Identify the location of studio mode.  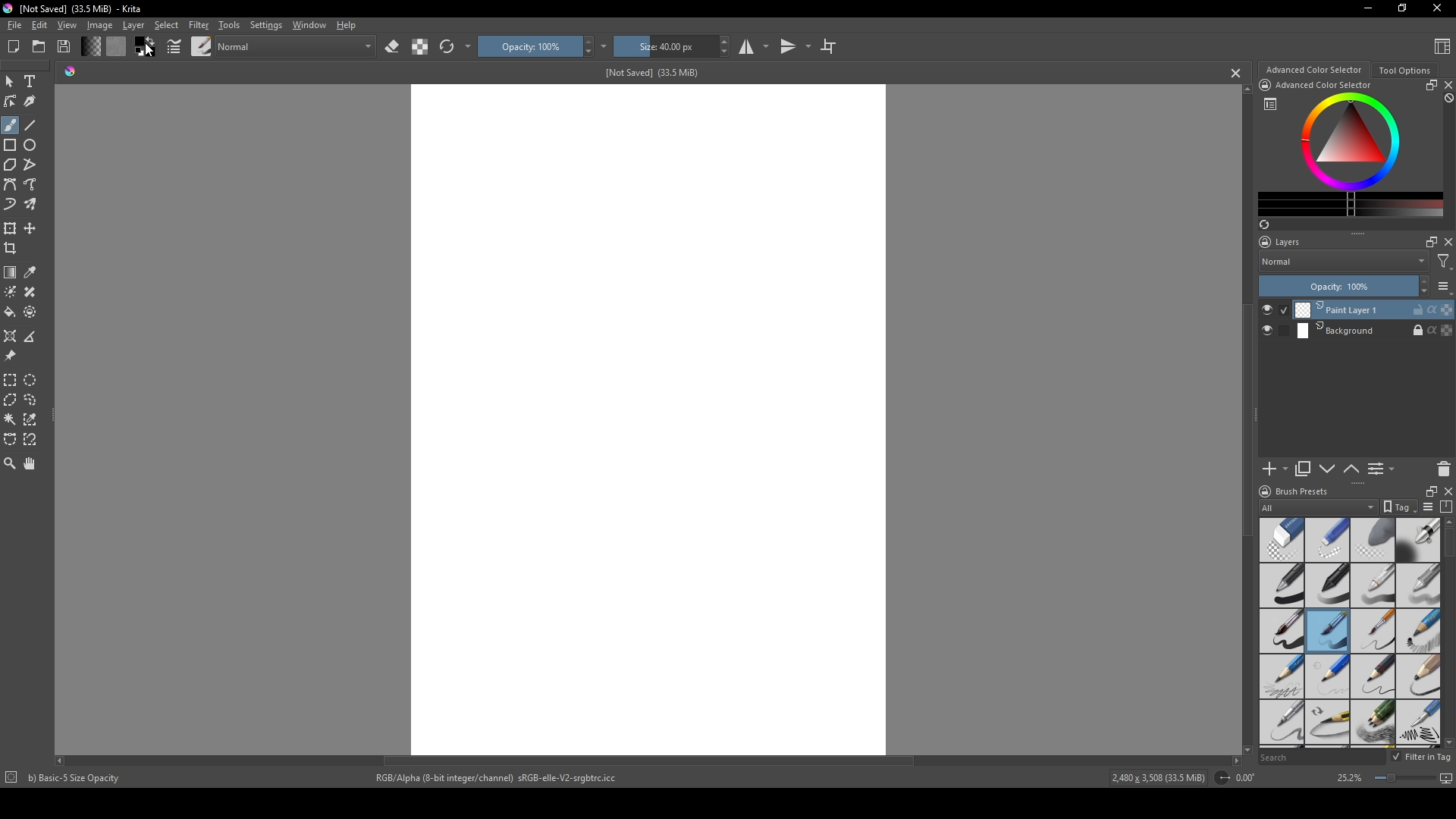
(754, 46).